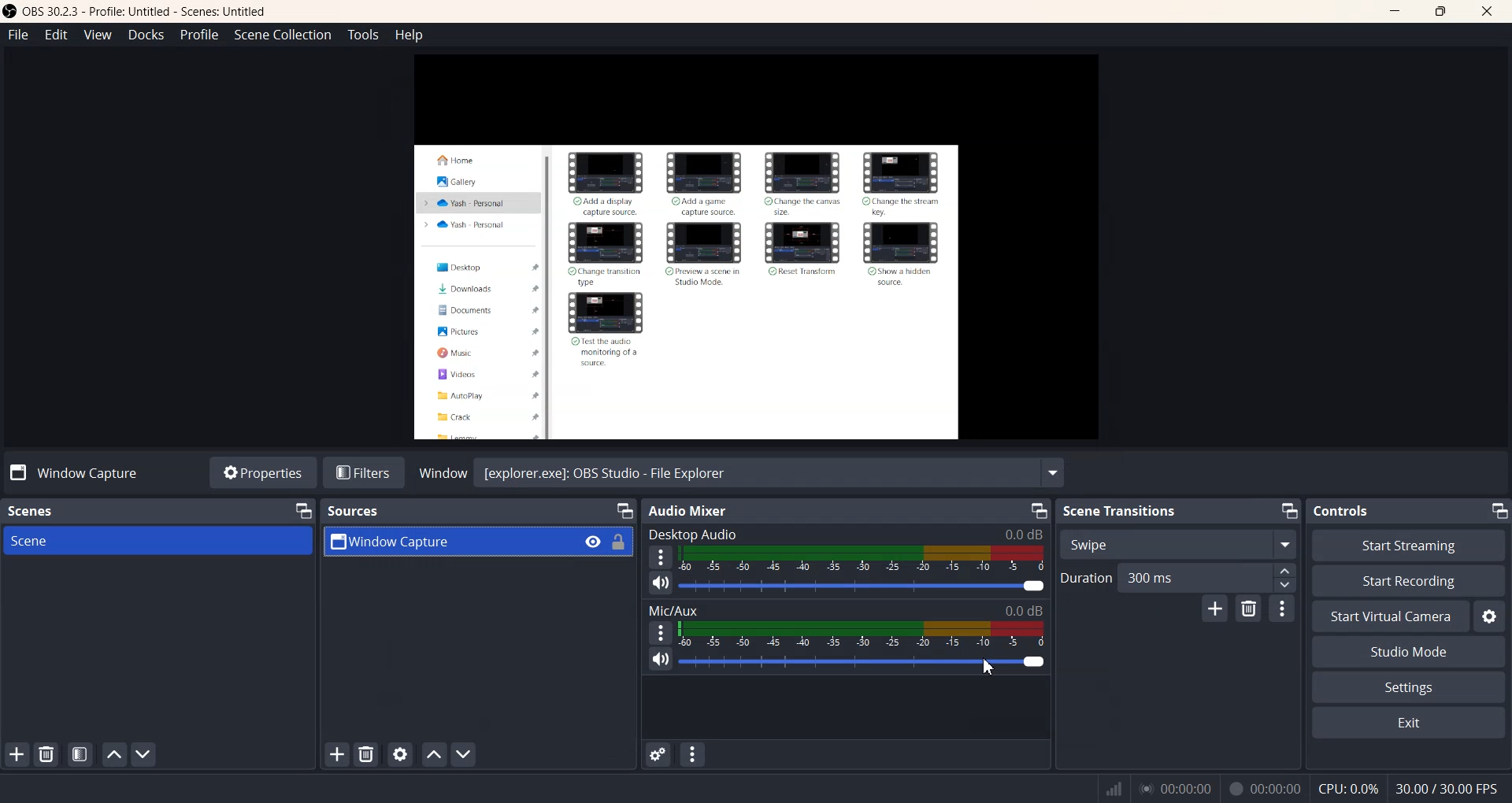 This screenshot has width=1512, height=803. What do you see at coordinates (261, 472) in the screenshot?
I see `Properties` at bounding box center [261, 472].